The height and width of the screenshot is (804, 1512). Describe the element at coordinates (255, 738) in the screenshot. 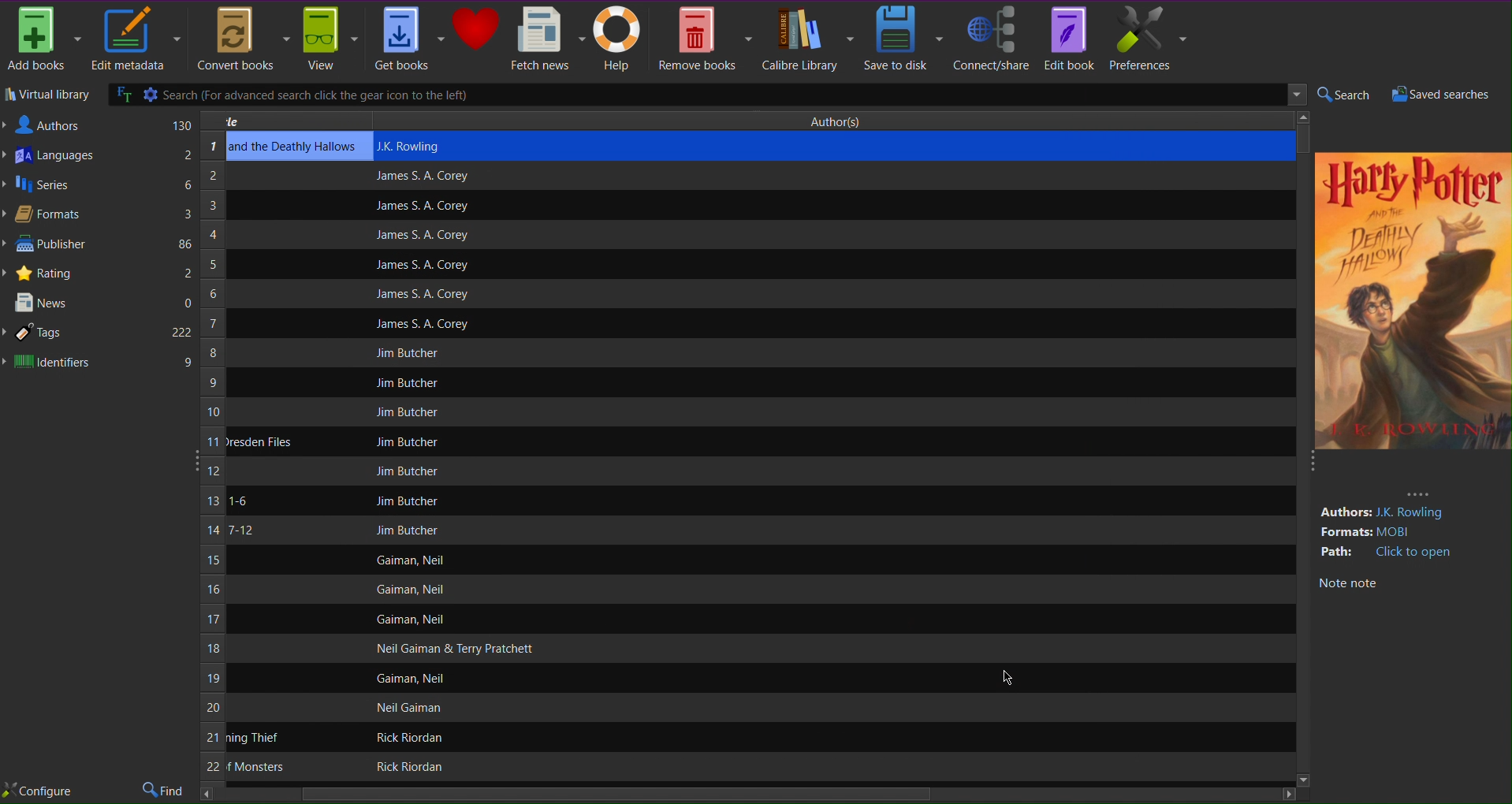

I see `ning thief` at that location.